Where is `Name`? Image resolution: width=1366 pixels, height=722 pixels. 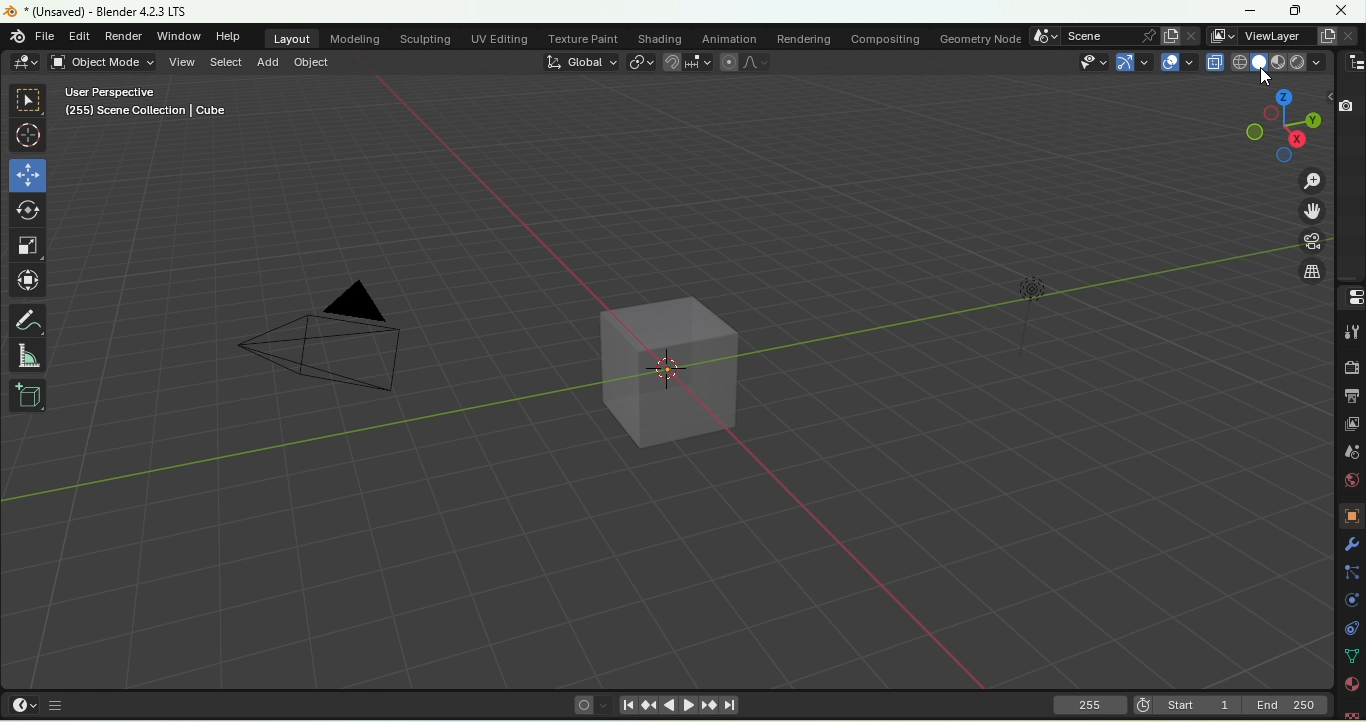
Name is located at coordinates (1097, 36).